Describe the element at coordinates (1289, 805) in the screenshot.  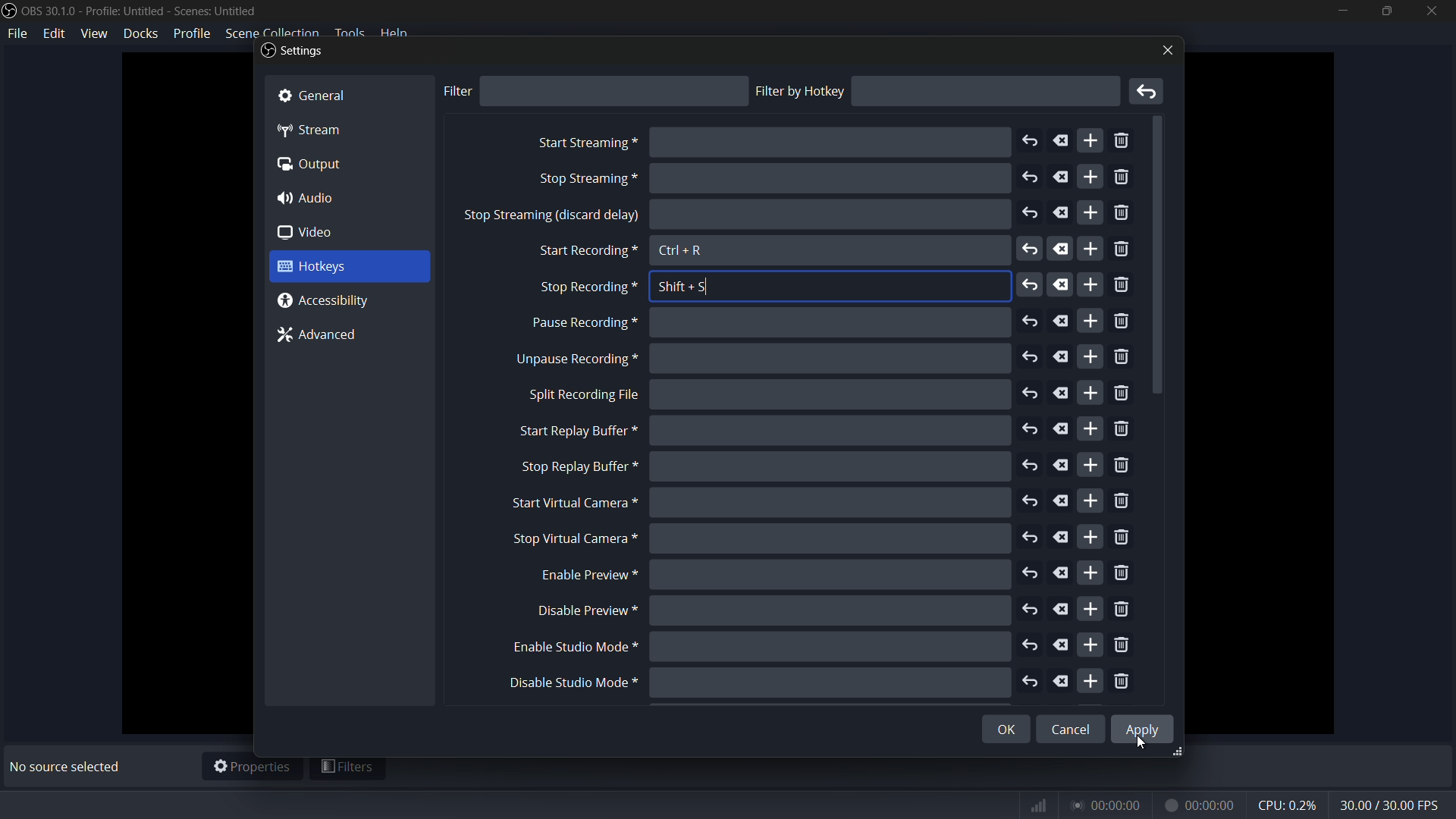
I see `cpu usage` at that location.